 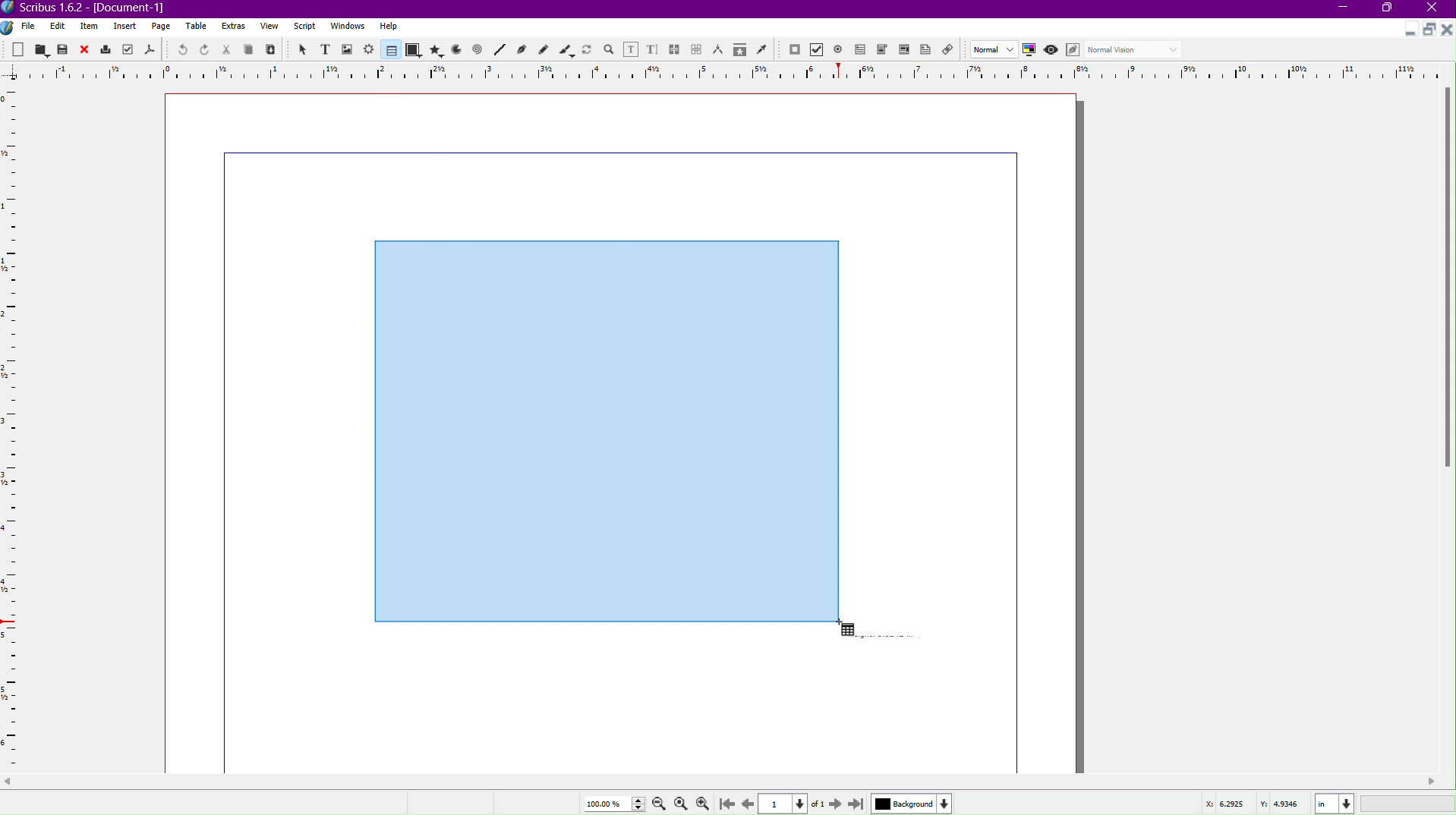 What do you see at coordinates (761, 49) in the screenshot?
I see `Eye Dropper` at bounding box center [761, 49].